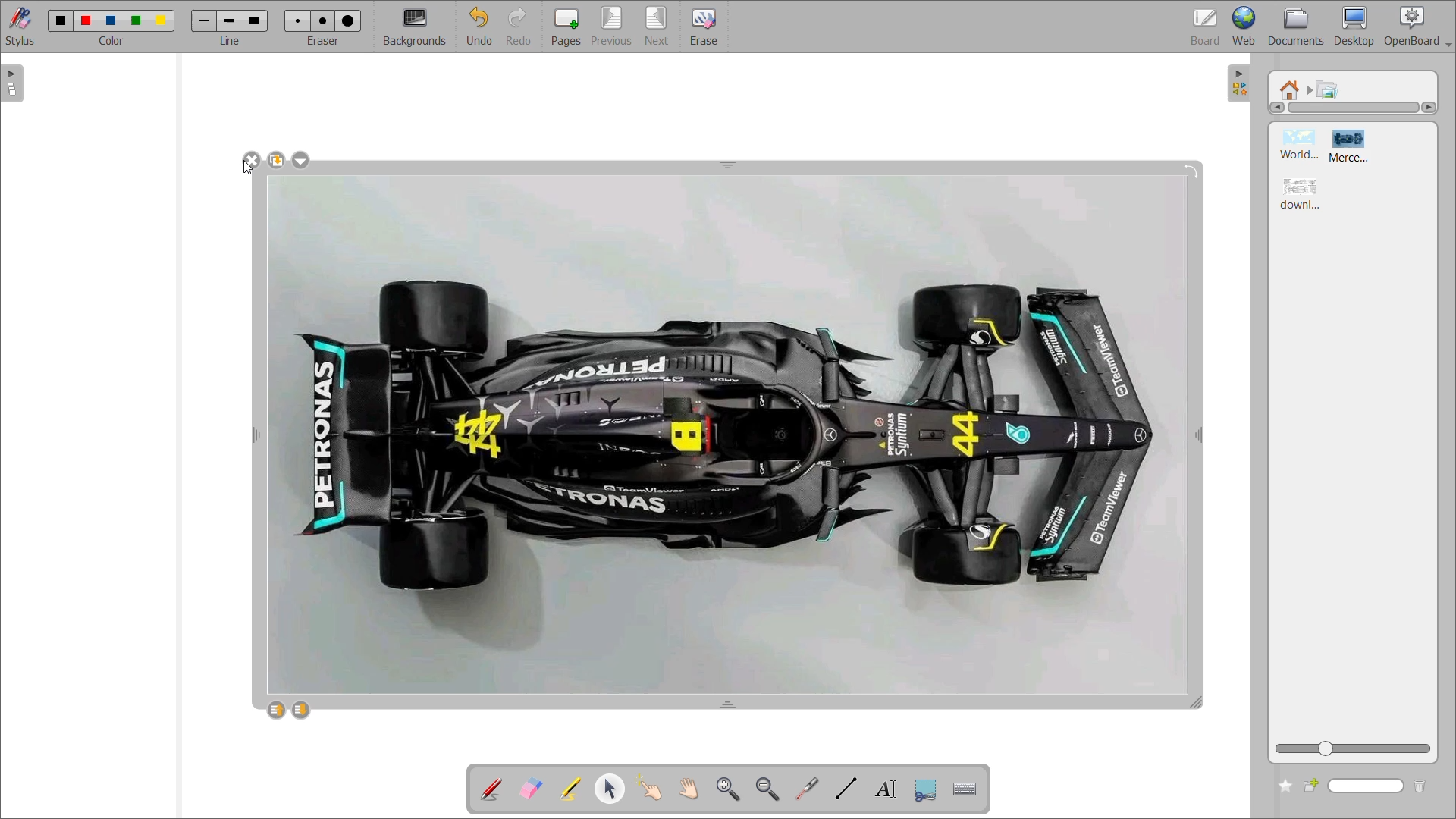  I want to click on double arrow, so click(259, 438).